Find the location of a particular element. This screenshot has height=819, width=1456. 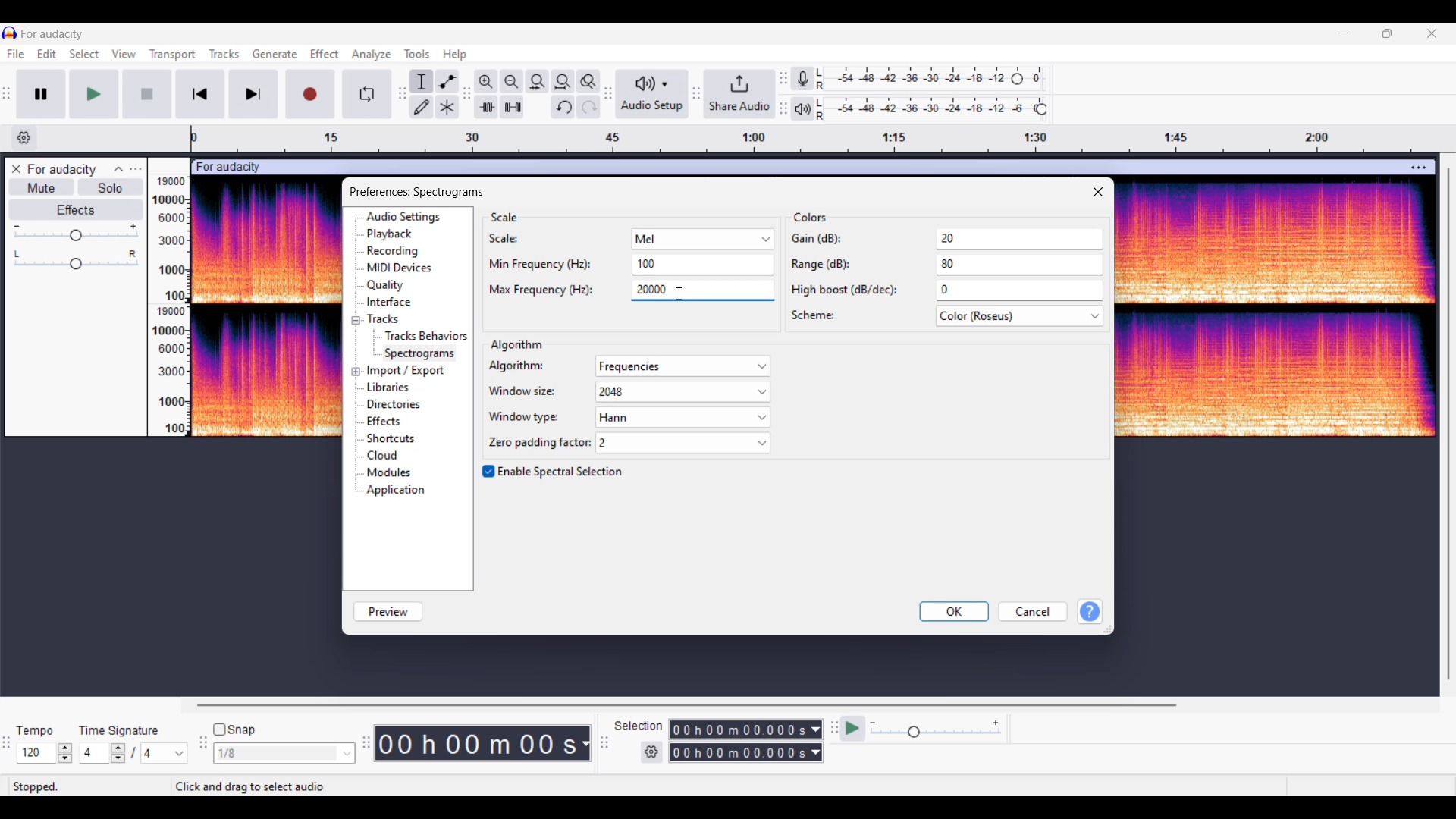

Close window is located at coordinates (1098, 192).